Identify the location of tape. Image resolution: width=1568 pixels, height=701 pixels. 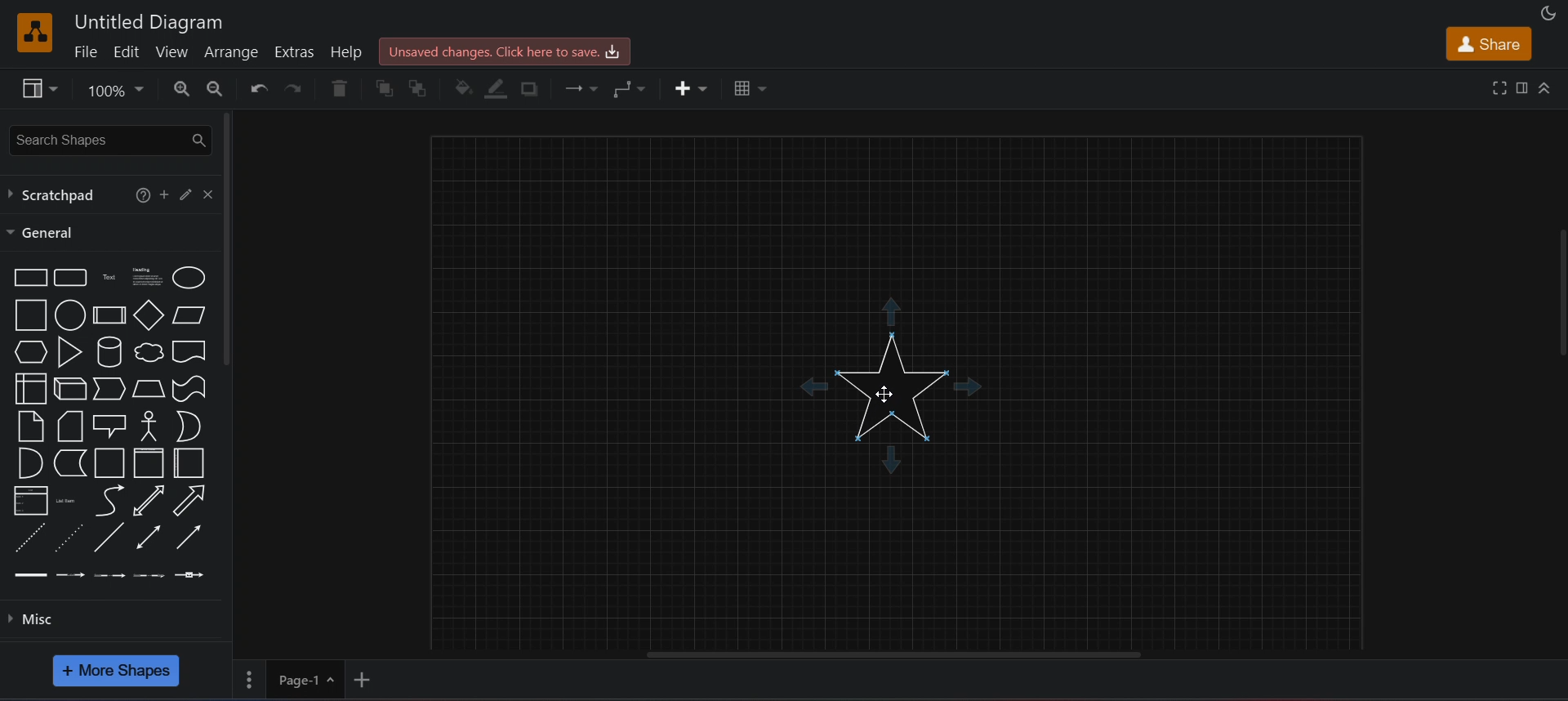
(190, 389).